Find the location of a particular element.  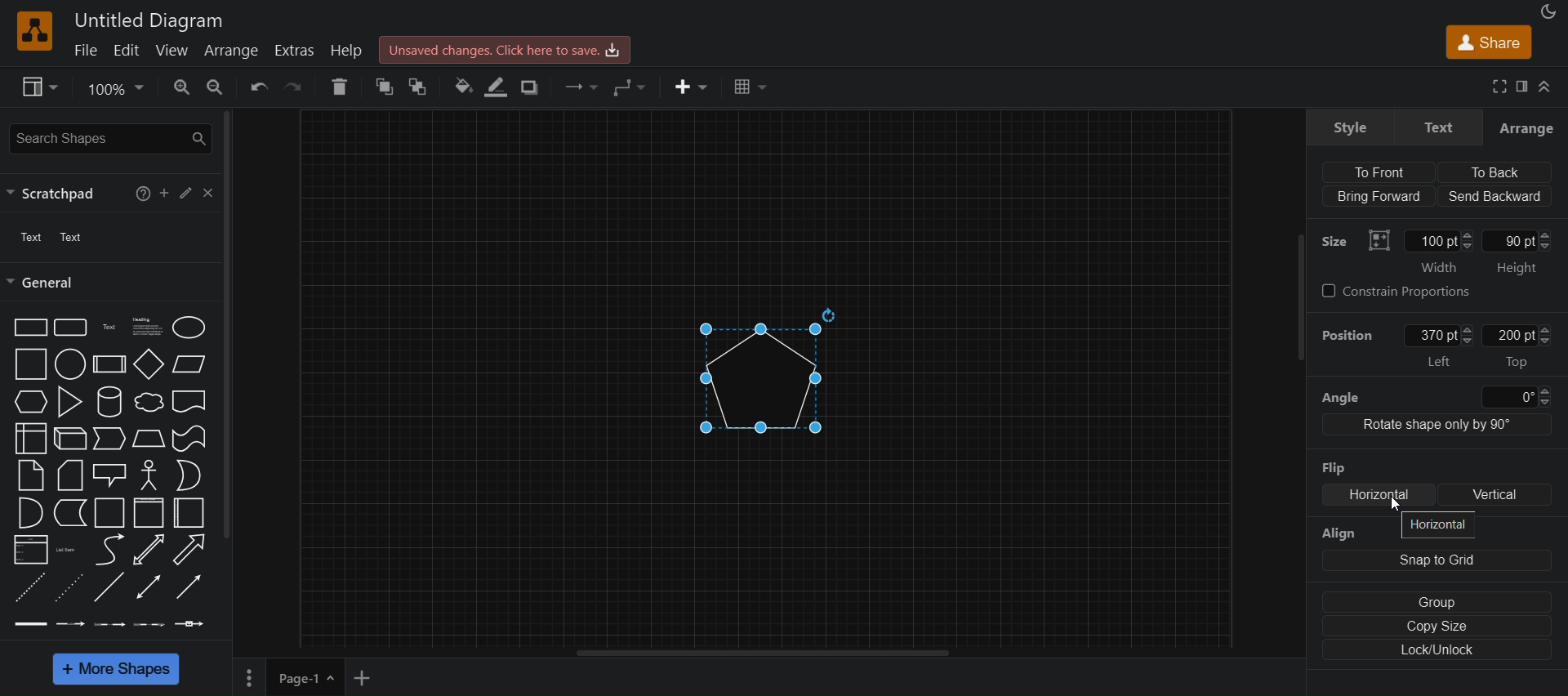

Cloud is located at coordinates (149, 402).